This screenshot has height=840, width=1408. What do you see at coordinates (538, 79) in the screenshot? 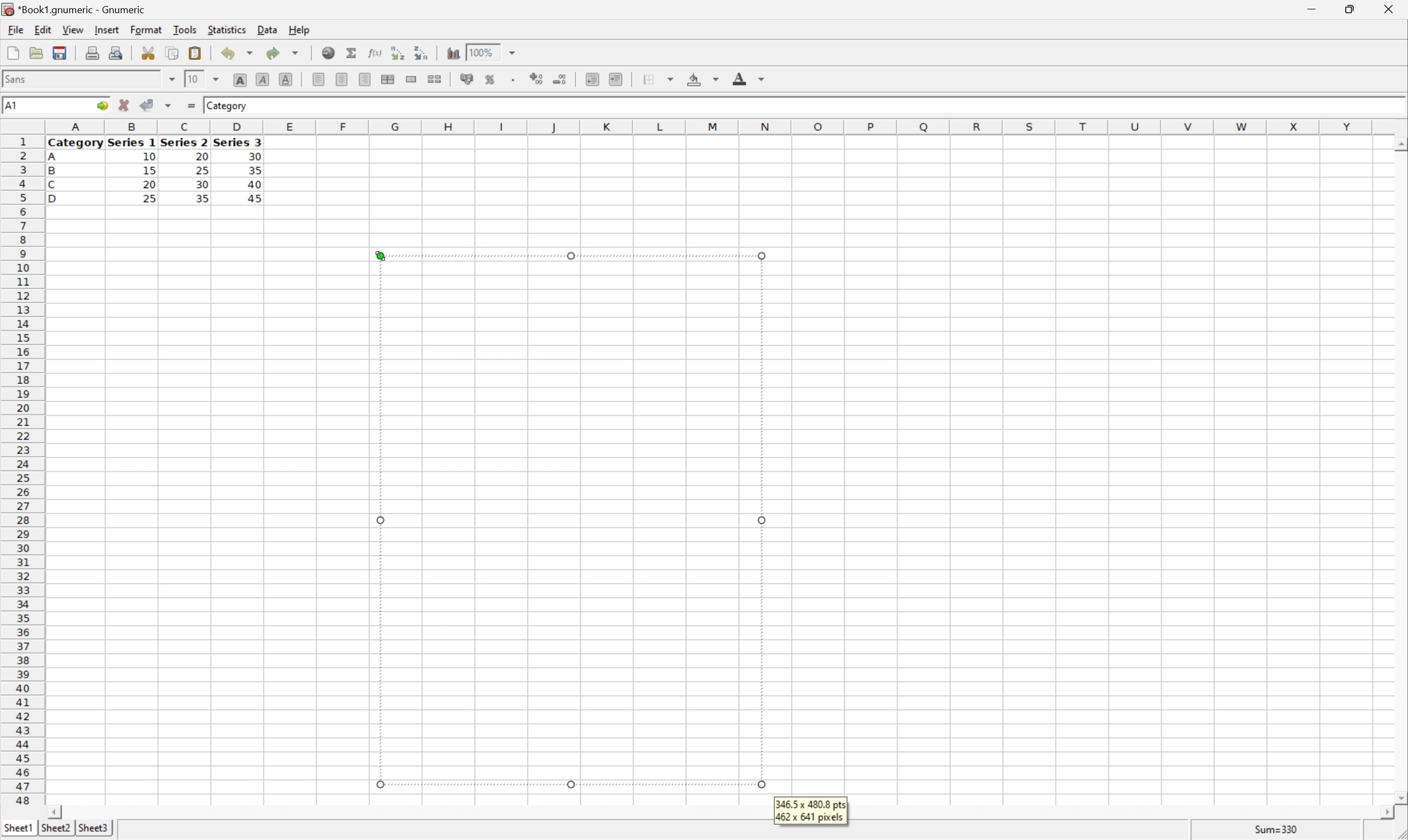
I see `Increase the number of decimals displayed` at bounding box center [538, 79].